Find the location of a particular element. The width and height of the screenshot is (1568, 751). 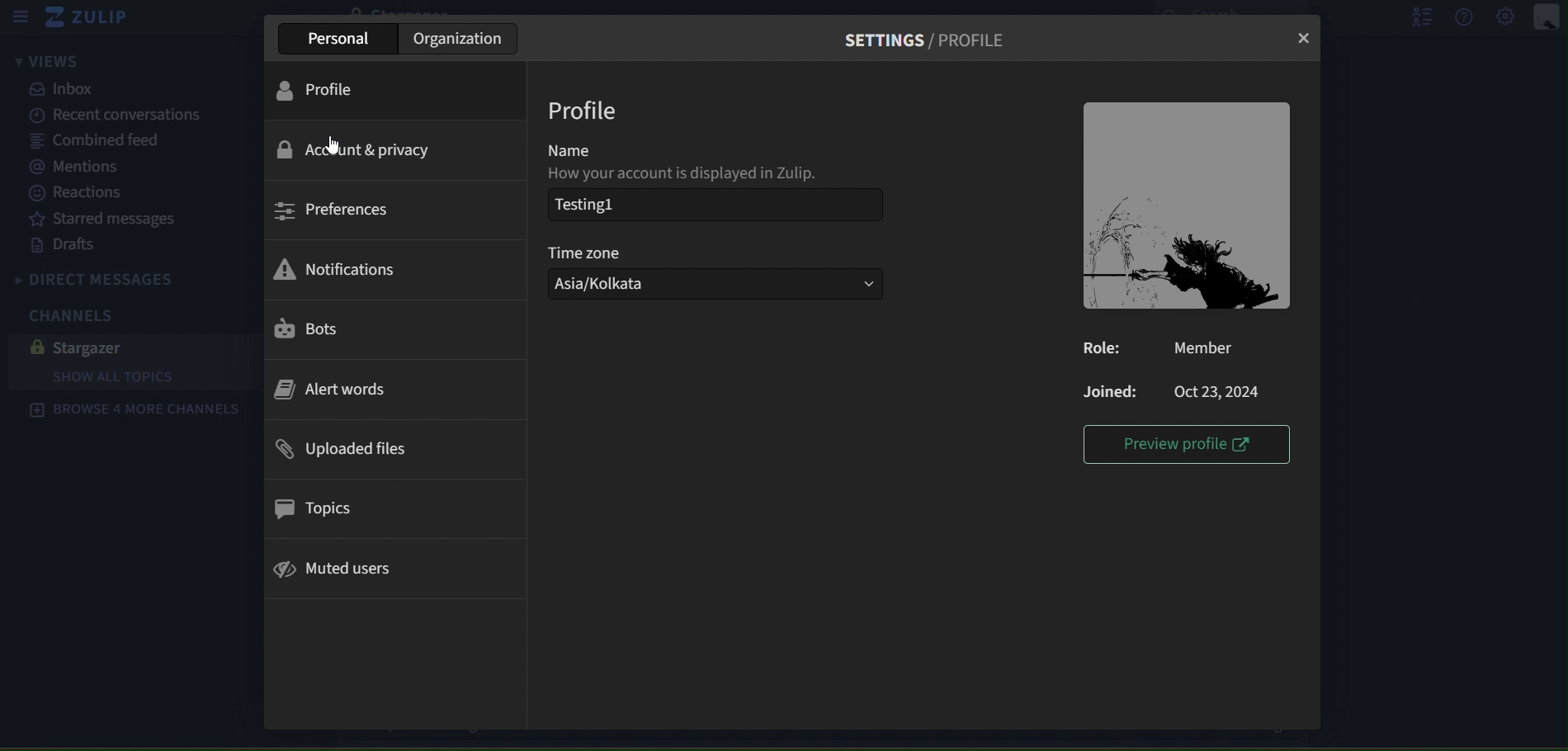

preview profile is located at coordinates (1191, 445).